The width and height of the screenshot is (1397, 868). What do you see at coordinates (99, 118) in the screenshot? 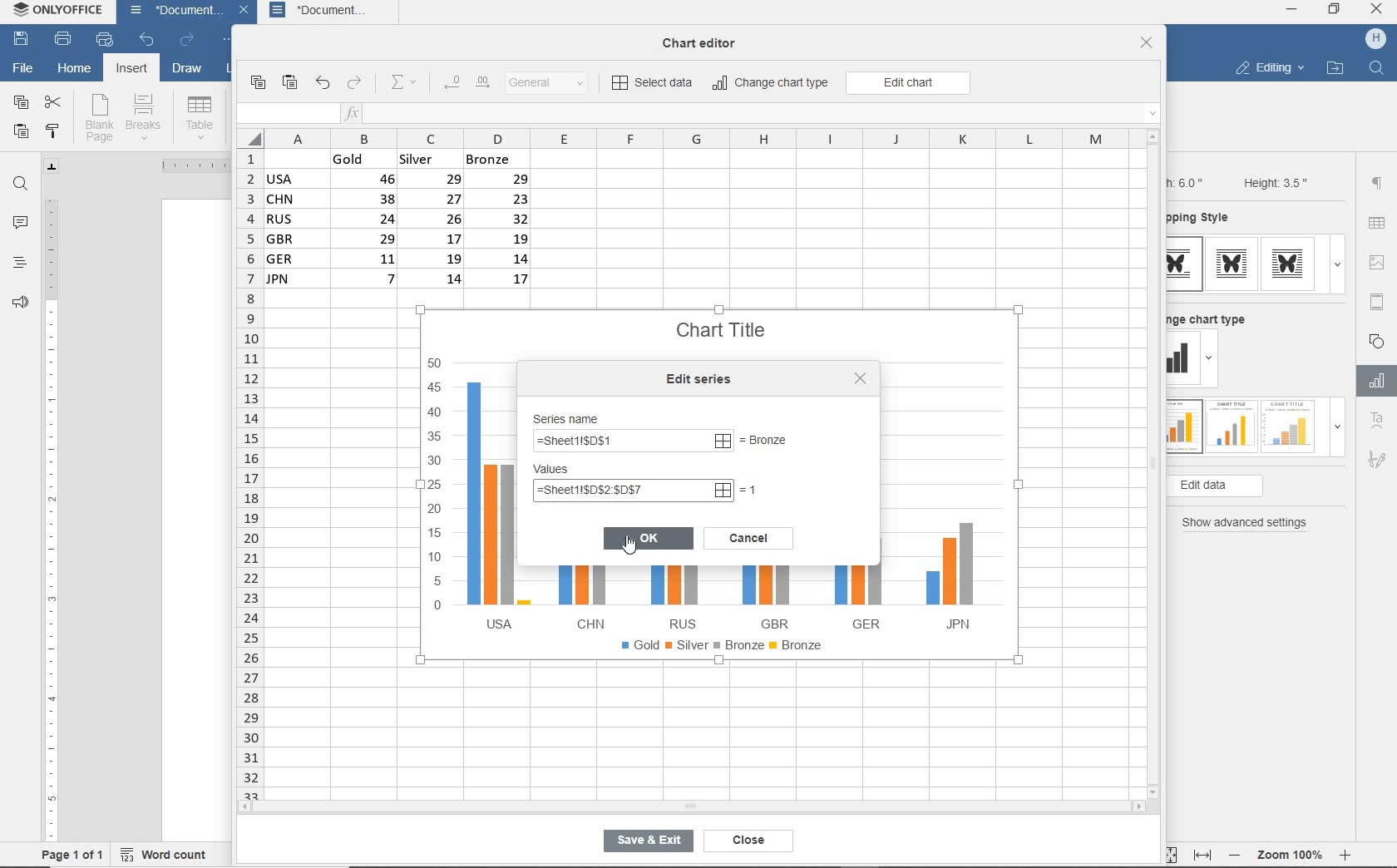
I see `blank page` at bounding box center [99, 118].